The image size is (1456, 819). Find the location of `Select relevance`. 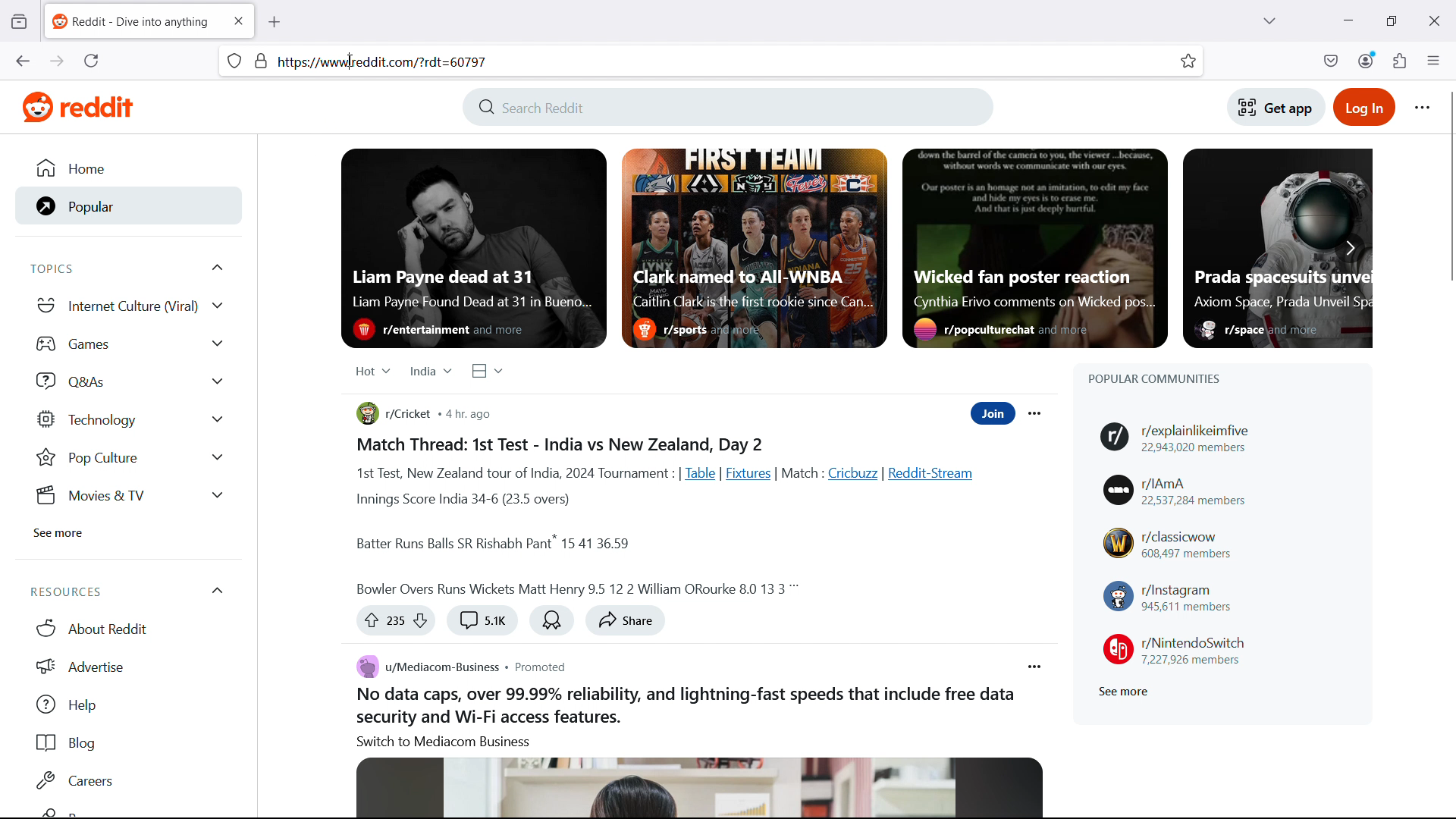

Select relevance is located at coordinates (372, 370).